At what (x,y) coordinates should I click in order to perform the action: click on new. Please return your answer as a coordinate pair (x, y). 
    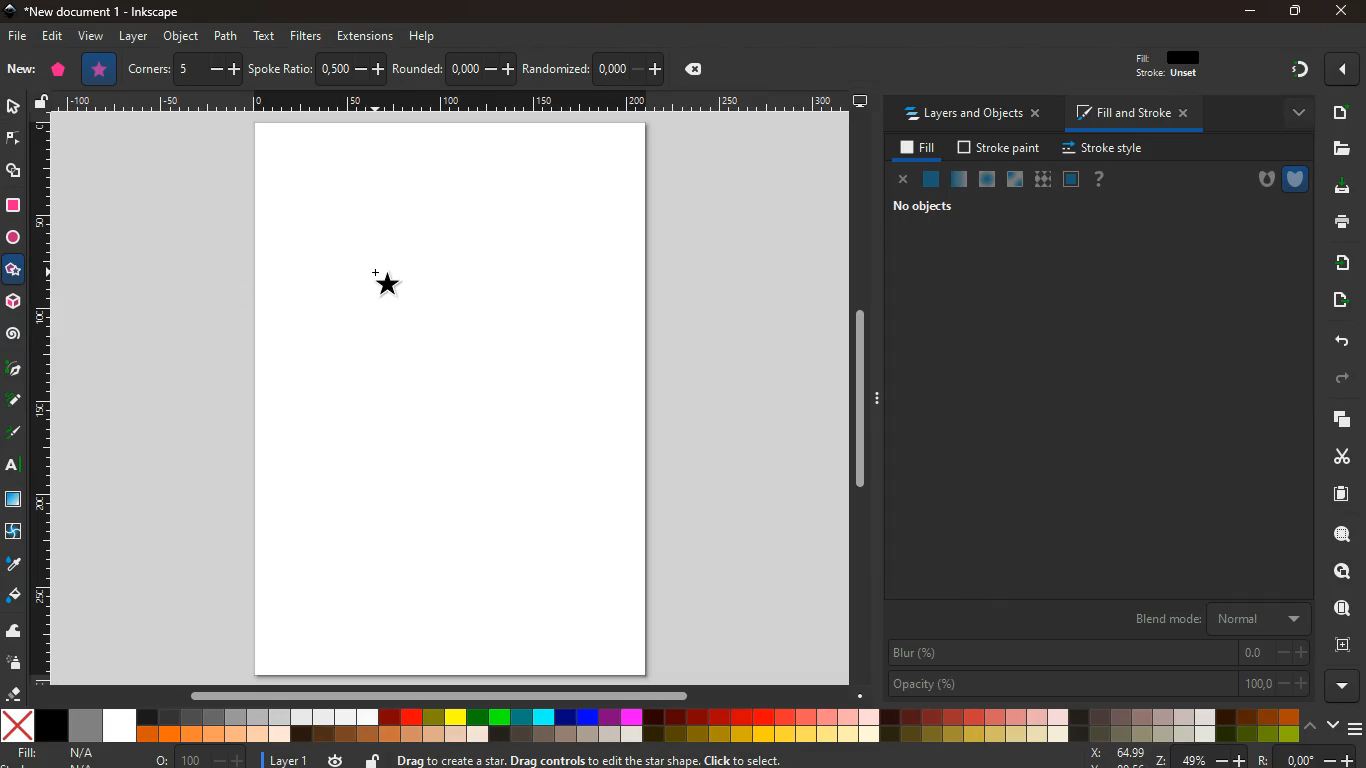
    Looking at the image, I should click on (1337, 114).